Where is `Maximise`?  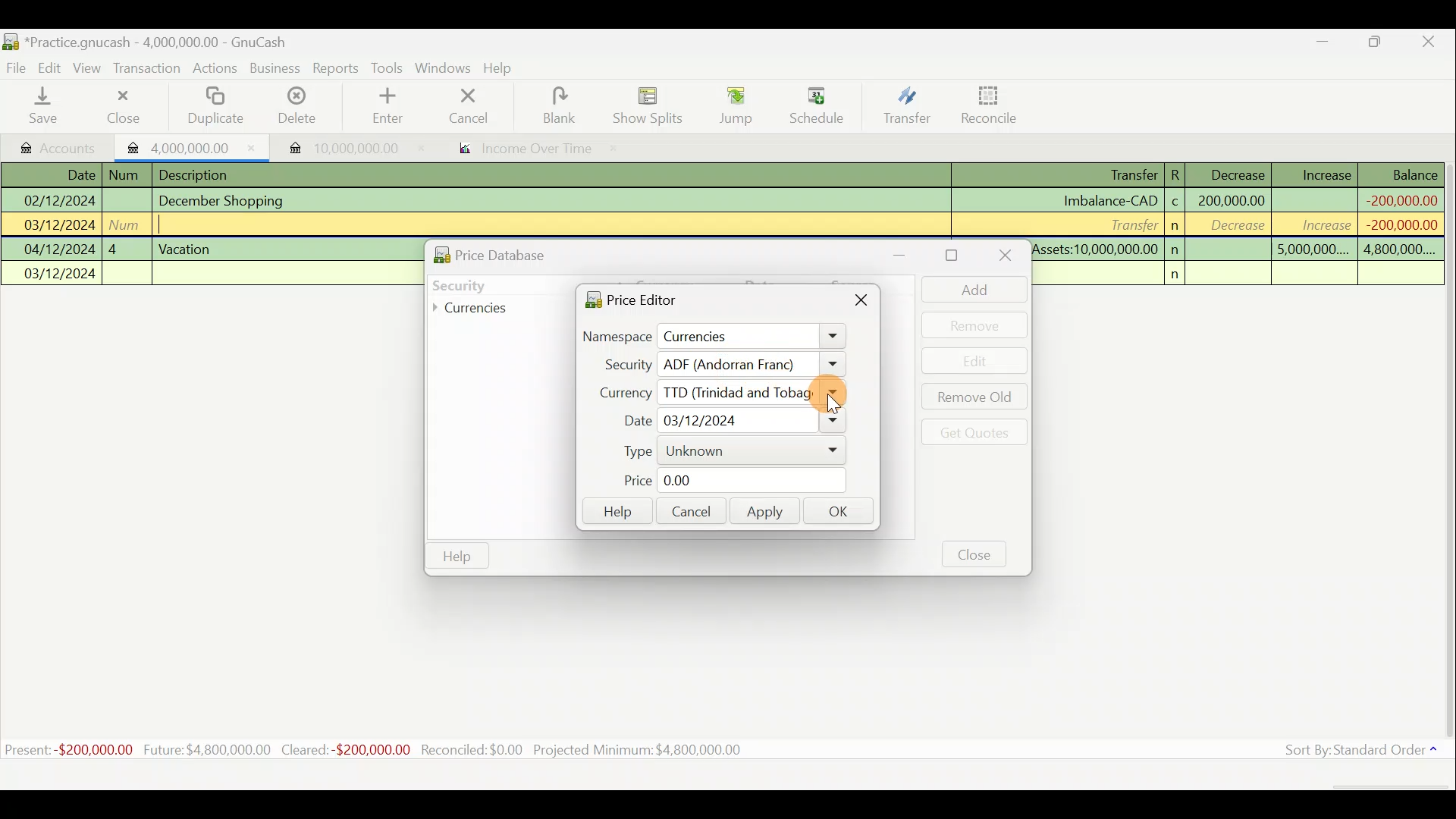 Maximise is located at coordinates (954, 256).